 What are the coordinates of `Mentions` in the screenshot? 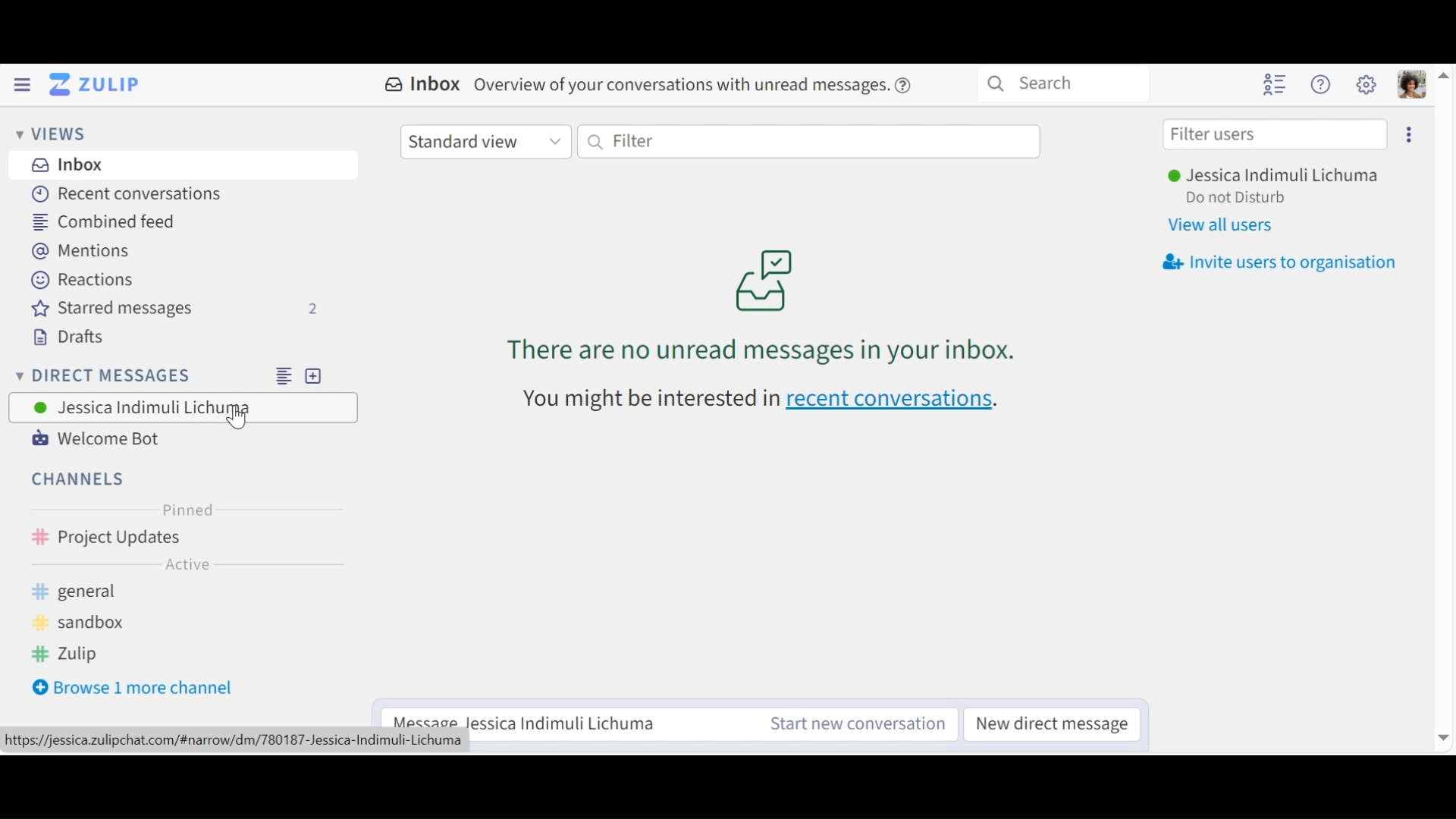 It's located at (80, 252).